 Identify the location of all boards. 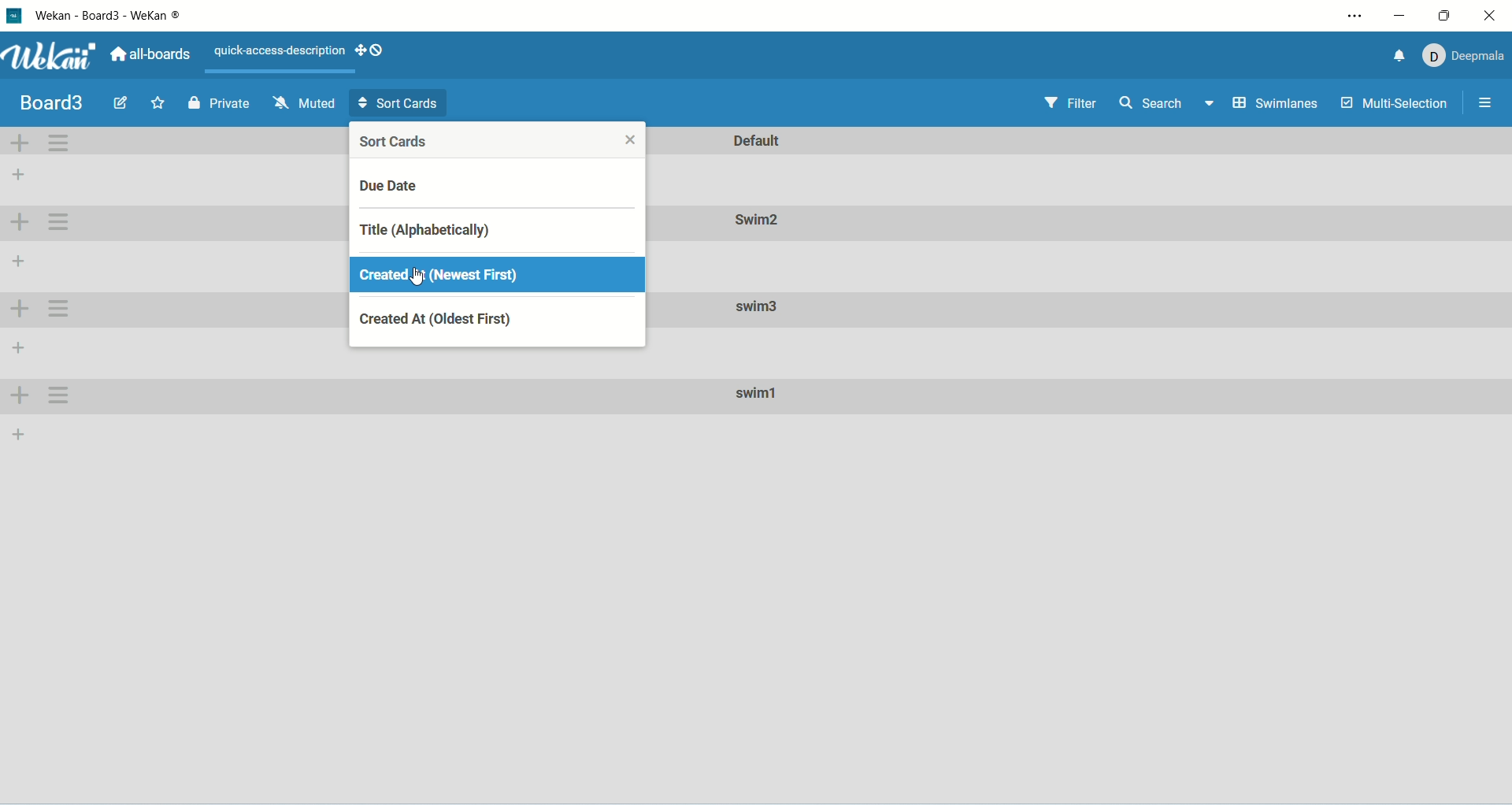
(154, 55).